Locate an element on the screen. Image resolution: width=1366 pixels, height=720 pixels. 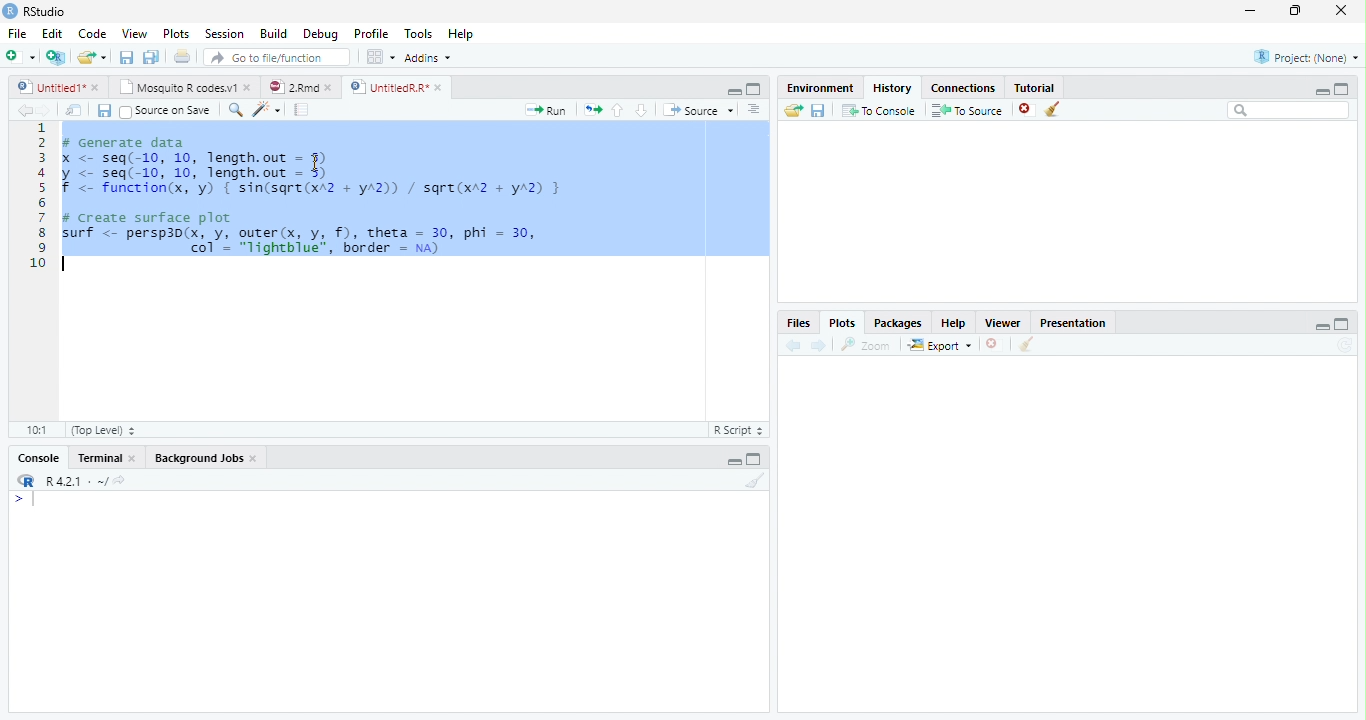
Mosquito R codes.v1 is located at coordinates (175, 87).